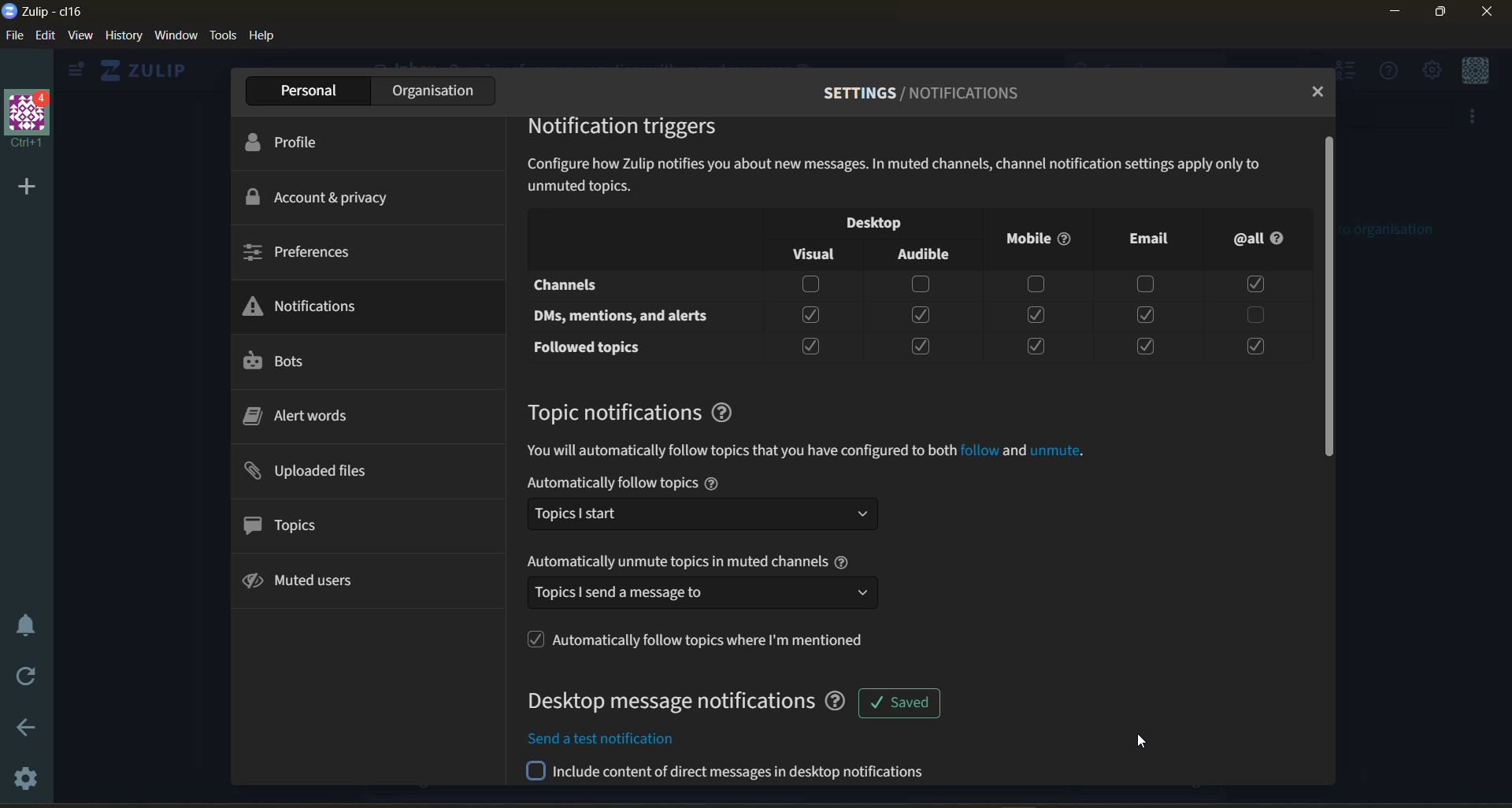 This screenshot has height=808, width=1512. What do you see at coordinates (298, 142) in the screenshot?
I see `profile` at bounding box center [298, 142].